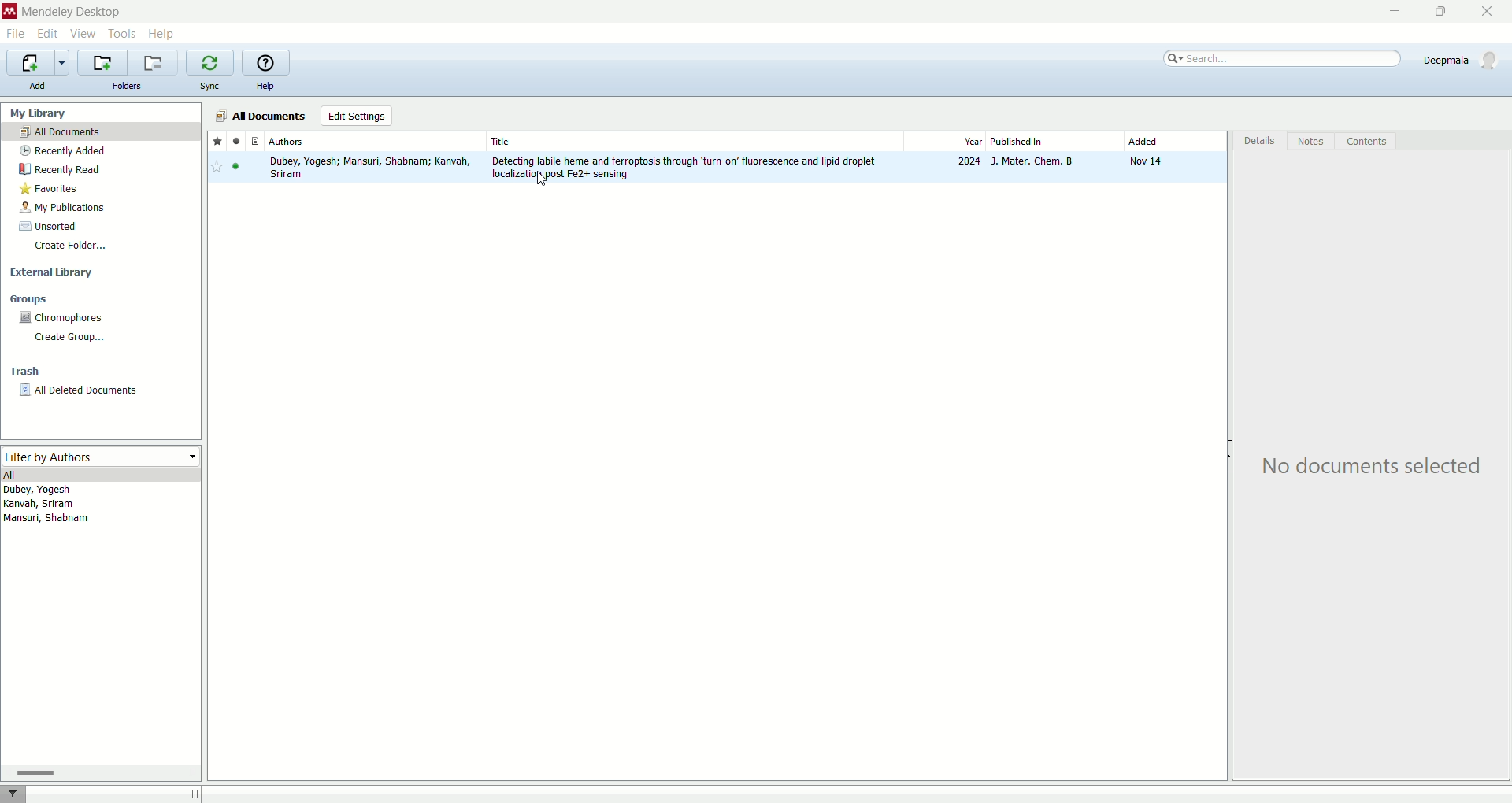 This screenshot has width=1512, height=803. Describe the element at coordinates (125, 86) in the screenshot. I see `folders` at that location.